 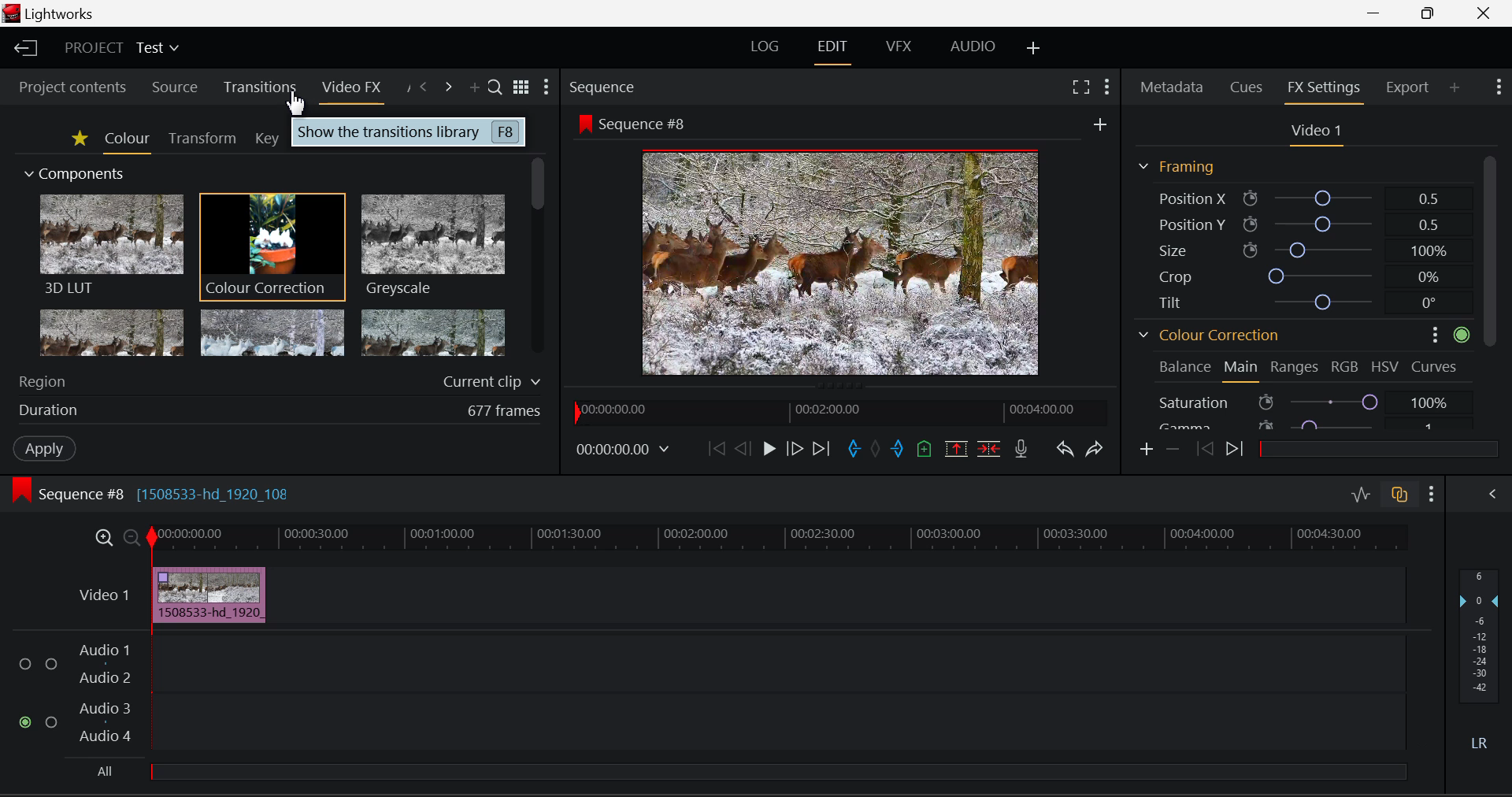 I want to click on HSV, so click(x=1388, y=366).